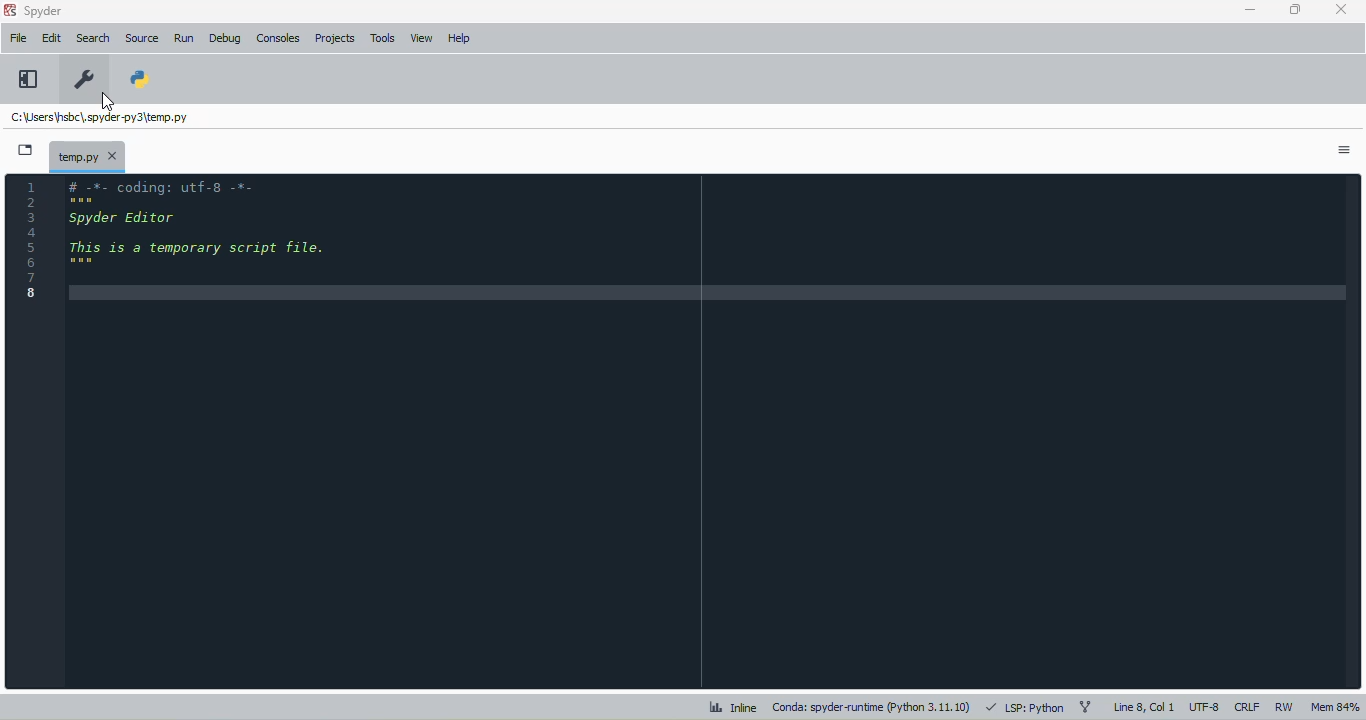 The image size is (1366, 720). I want to click on help, so click(459, 38).